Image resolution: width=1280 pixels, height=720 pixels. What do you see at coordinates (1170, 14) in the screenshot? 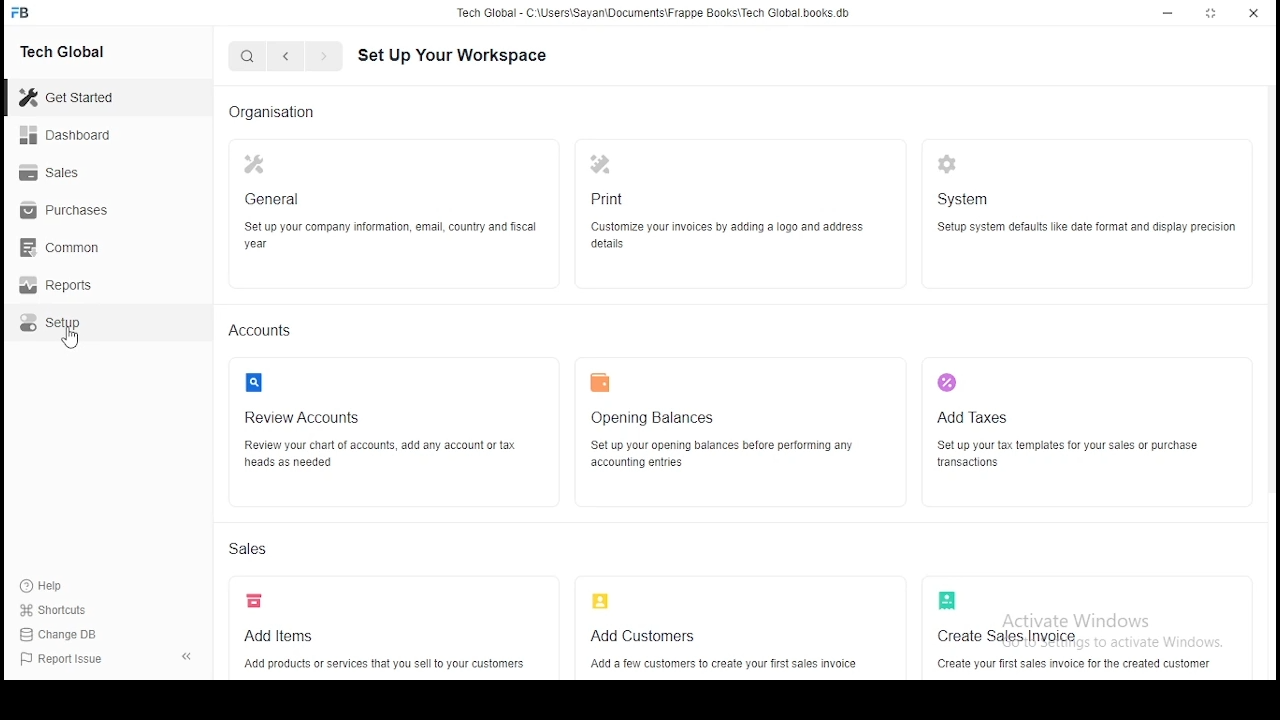
I see `minimize ` at bounding box center [1170, 14].